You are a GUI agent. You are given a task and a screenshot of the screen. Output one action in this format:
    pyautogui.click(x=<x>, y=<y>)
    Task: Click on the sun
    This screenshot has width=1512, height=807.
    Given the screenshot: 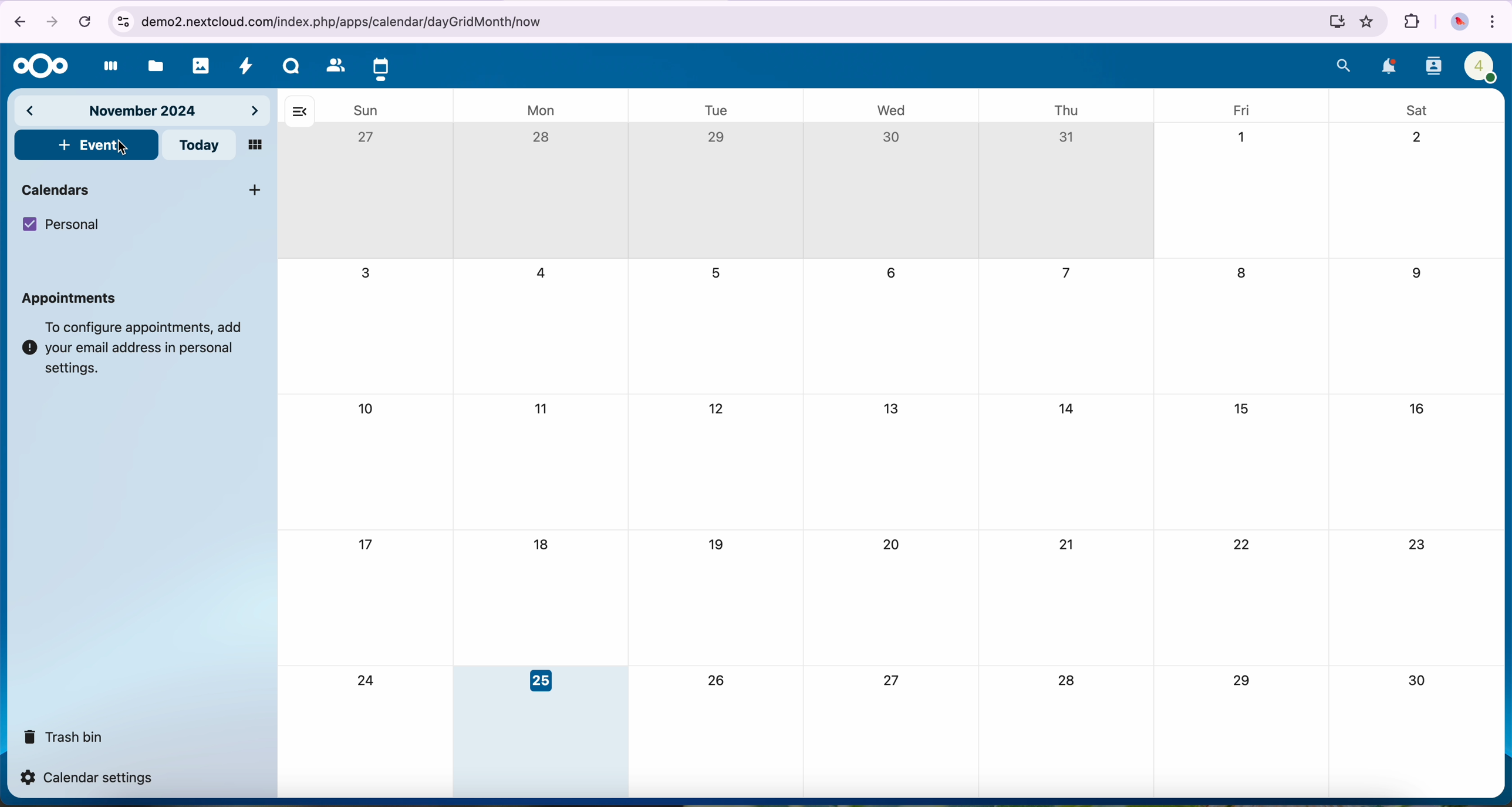 What is the action you would take?
    pyautogui.click(x=366, y=110)
    